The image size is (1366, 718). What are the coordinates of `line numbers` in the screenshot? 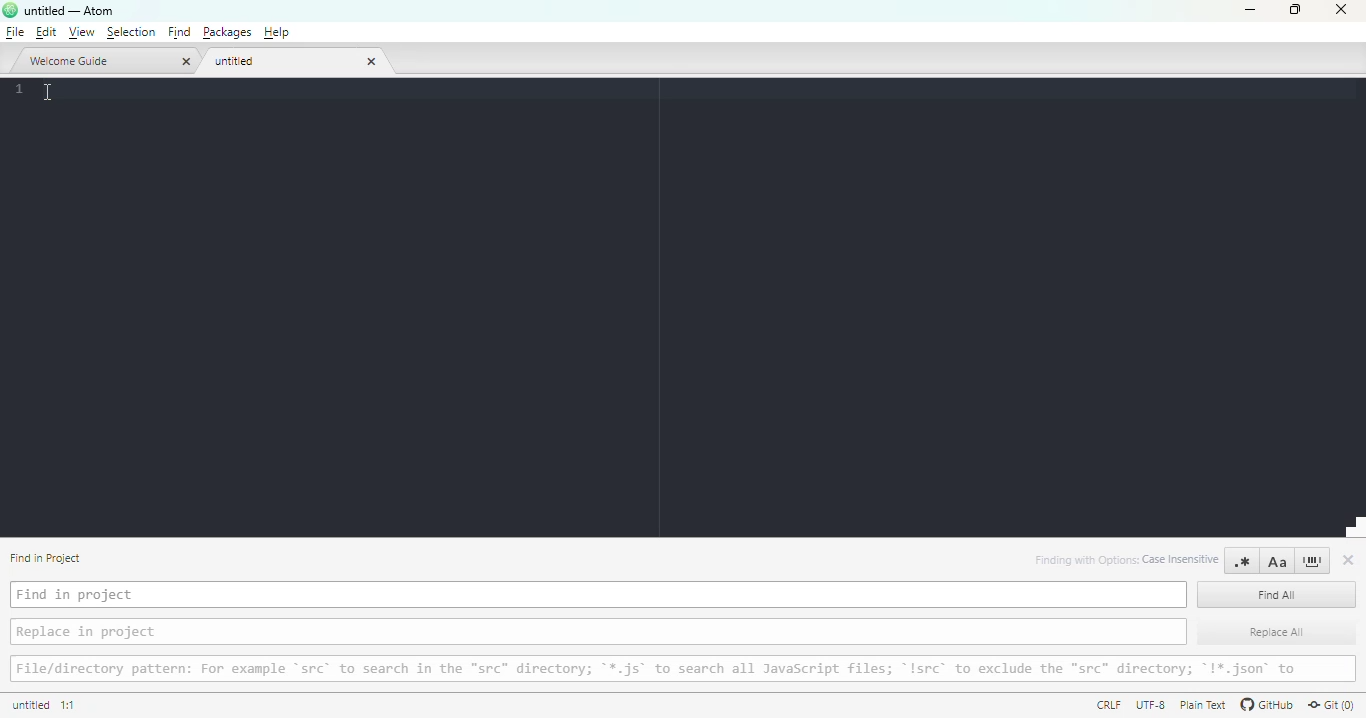 It's located at (18, 89).